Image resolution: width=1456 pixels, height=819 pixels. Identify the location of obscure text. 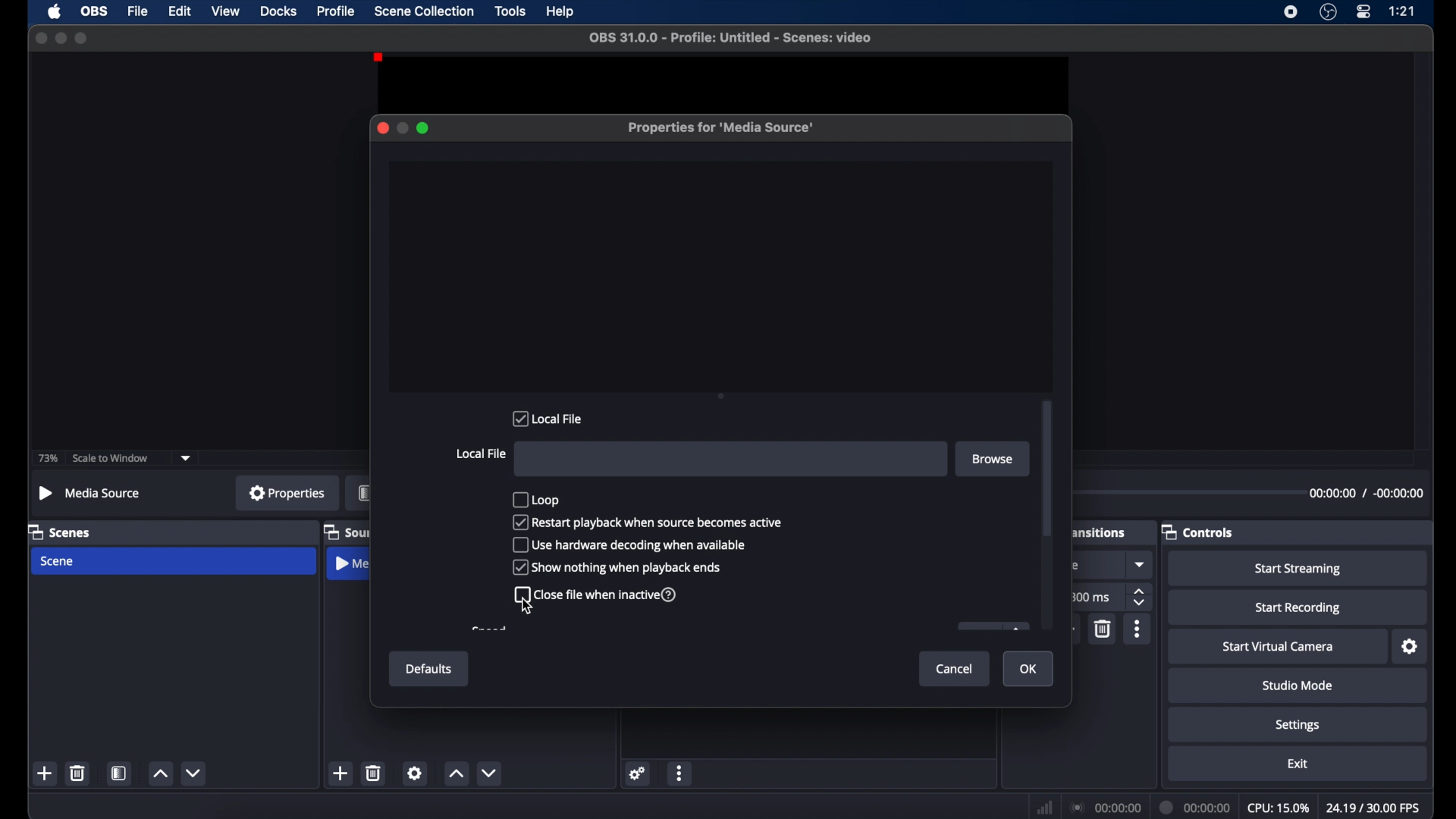
(487, 629).